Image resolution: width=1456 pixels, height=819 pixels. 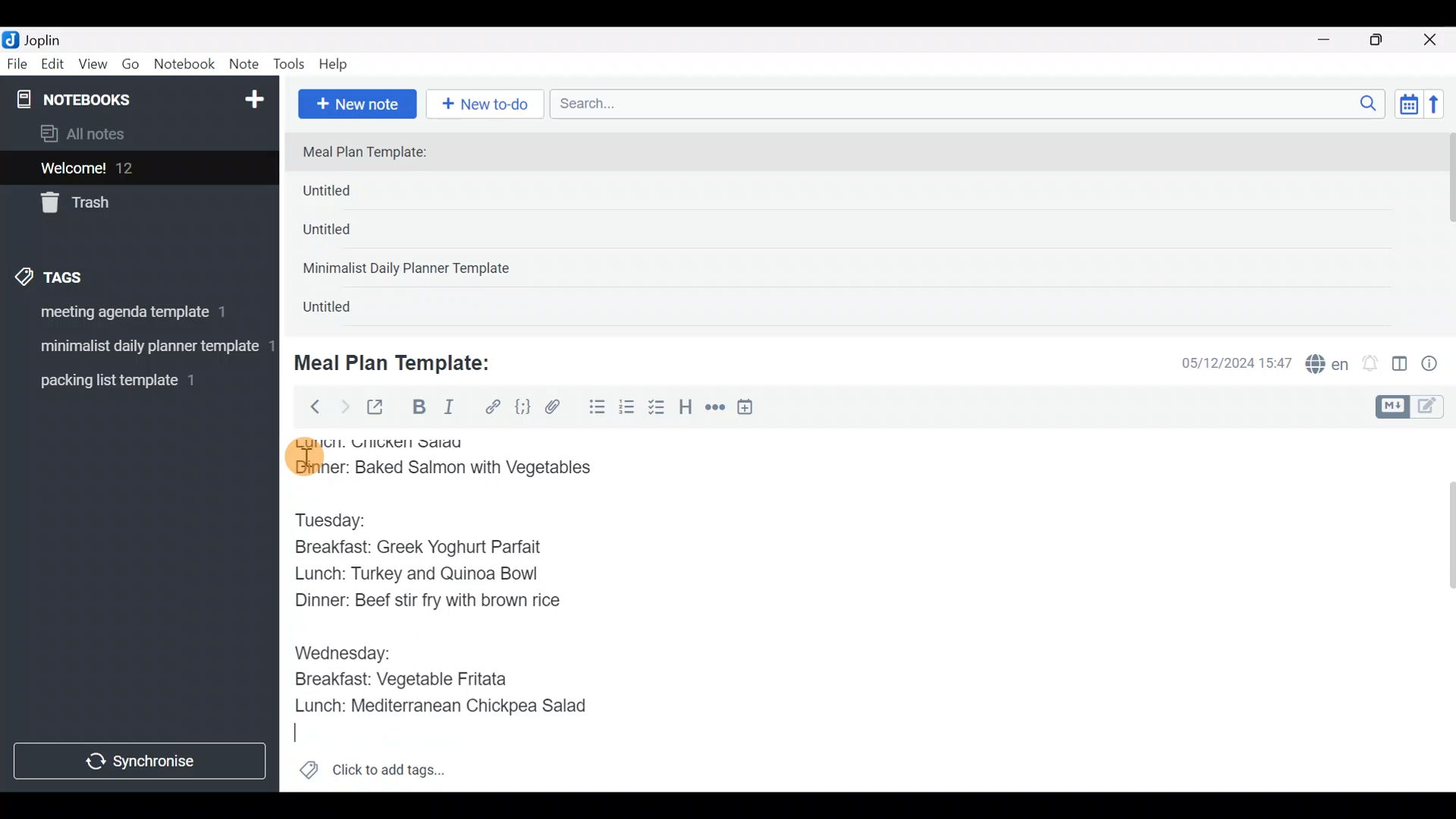 I want to click on Toggle external editing, so click(x=381, y=408).